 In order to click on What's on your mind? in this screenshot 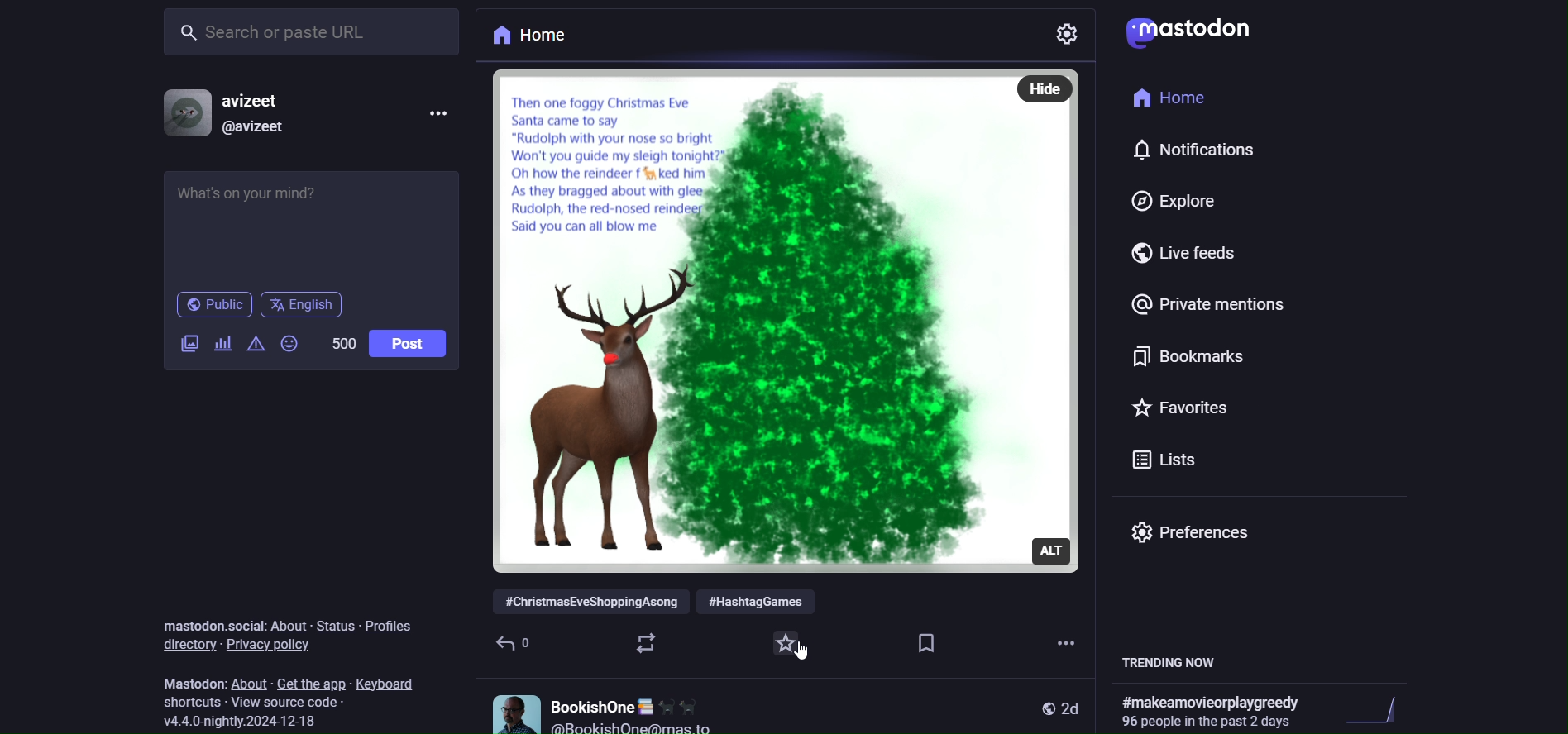, I will do `click(308, 227)`.